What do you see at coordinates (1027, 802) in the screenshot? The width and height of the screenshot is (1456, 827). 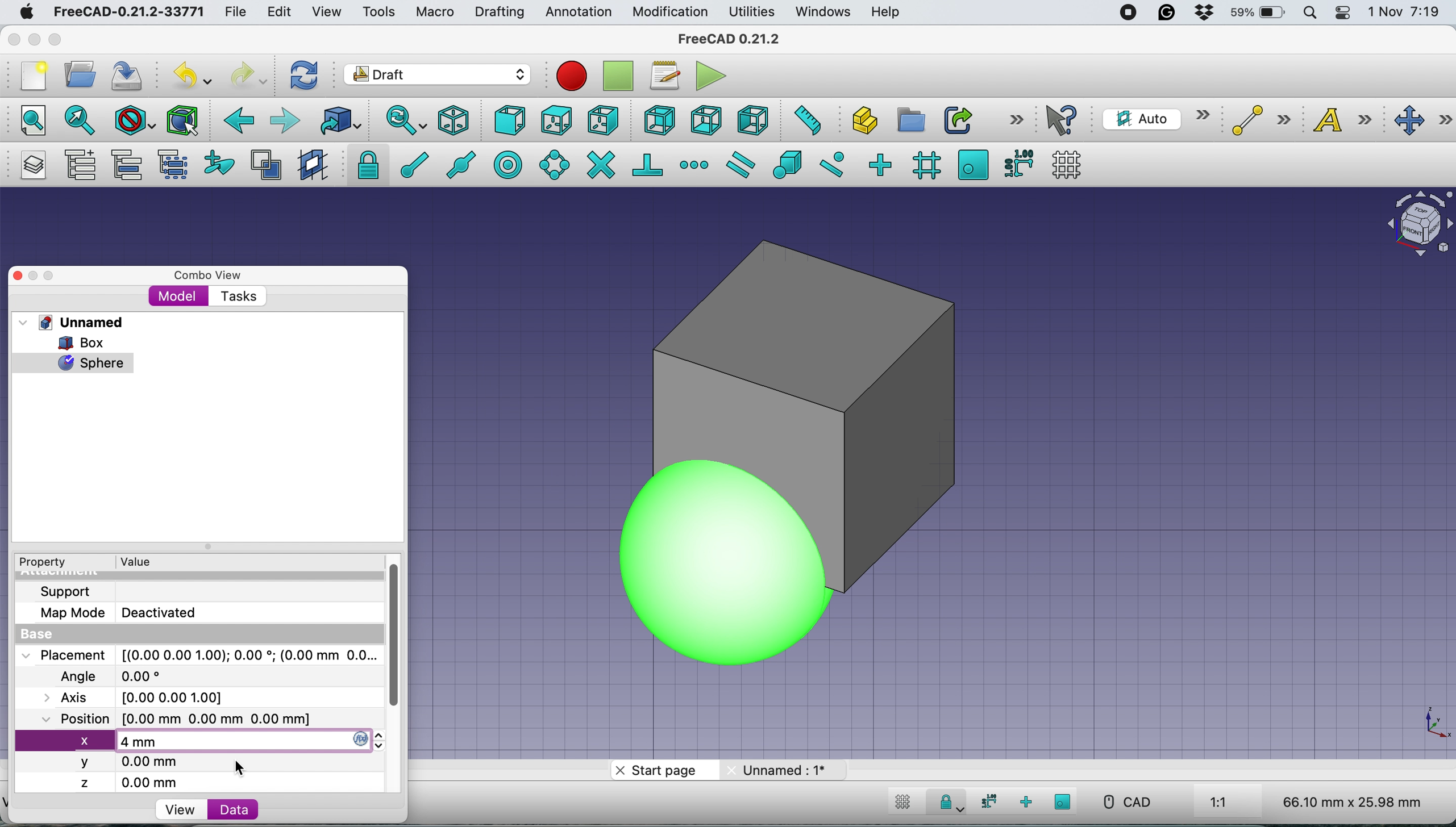 I see `snap ortho` at bounding box center [1027, 802].